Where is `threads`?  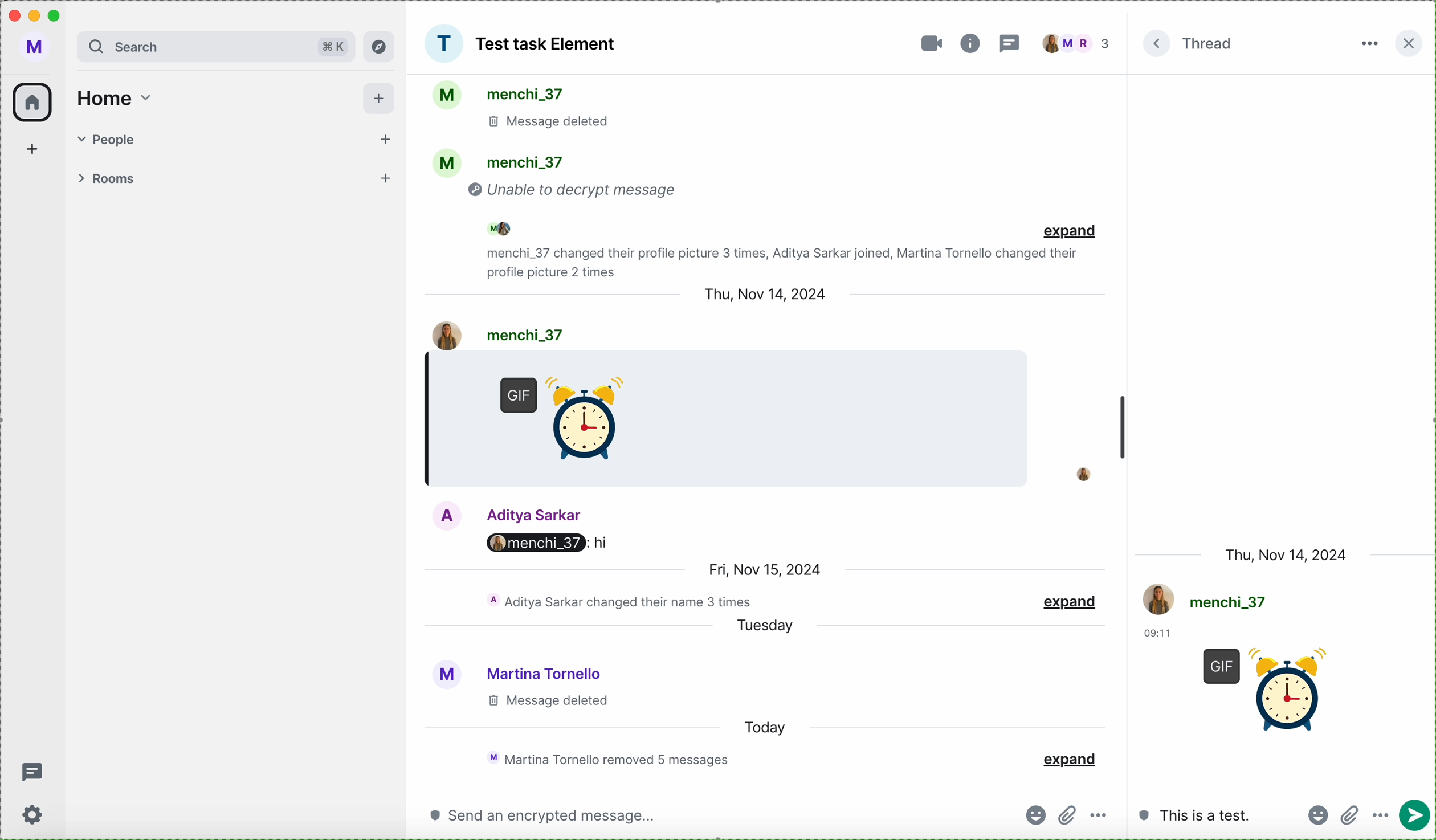 threads is located at coordinates (32, 774).